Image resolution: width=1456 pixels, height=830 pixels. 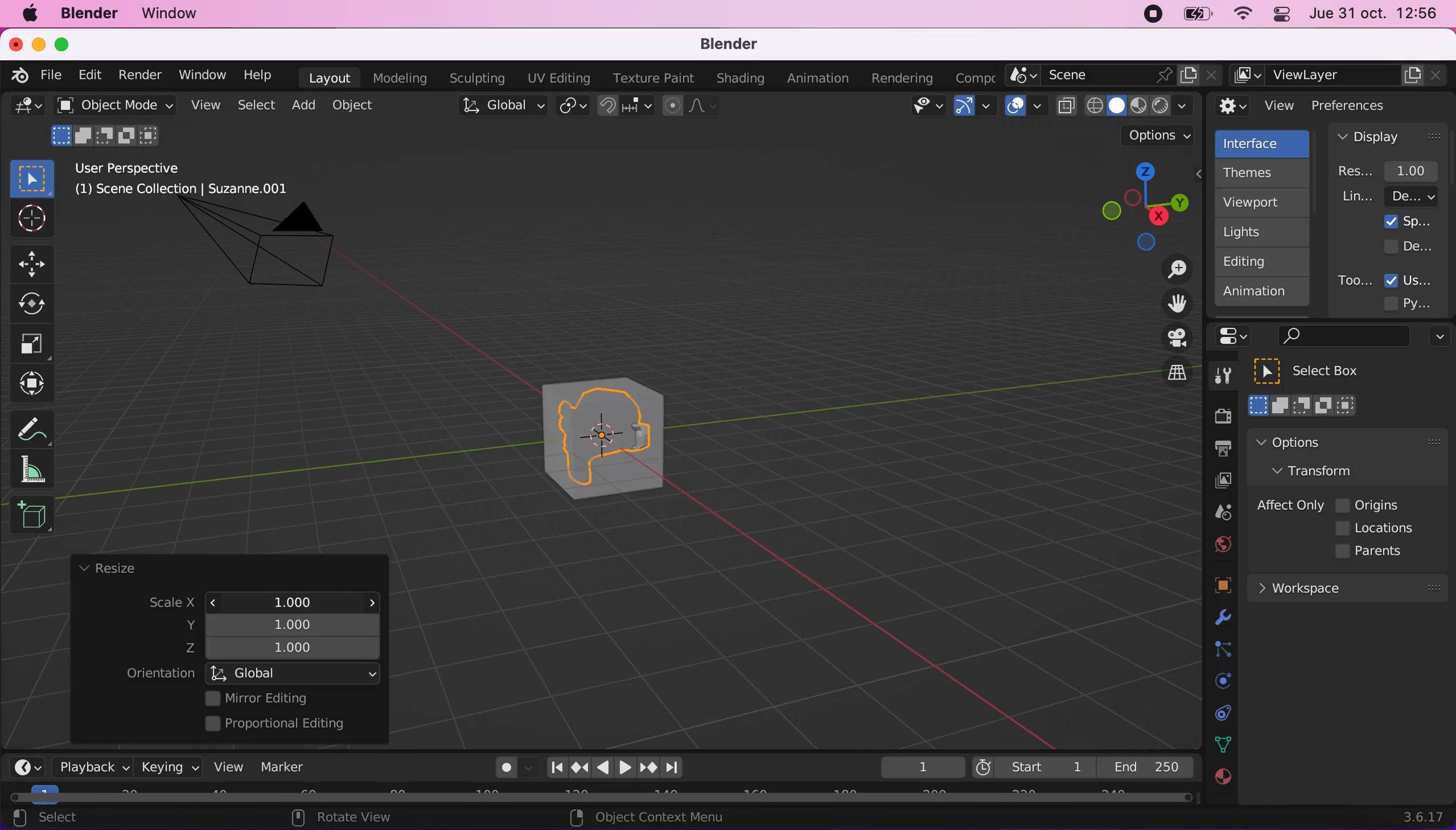 What do you see at coordinates (107, 569) in the screenshot?
I see `resize` at bounding box center [107, 569].